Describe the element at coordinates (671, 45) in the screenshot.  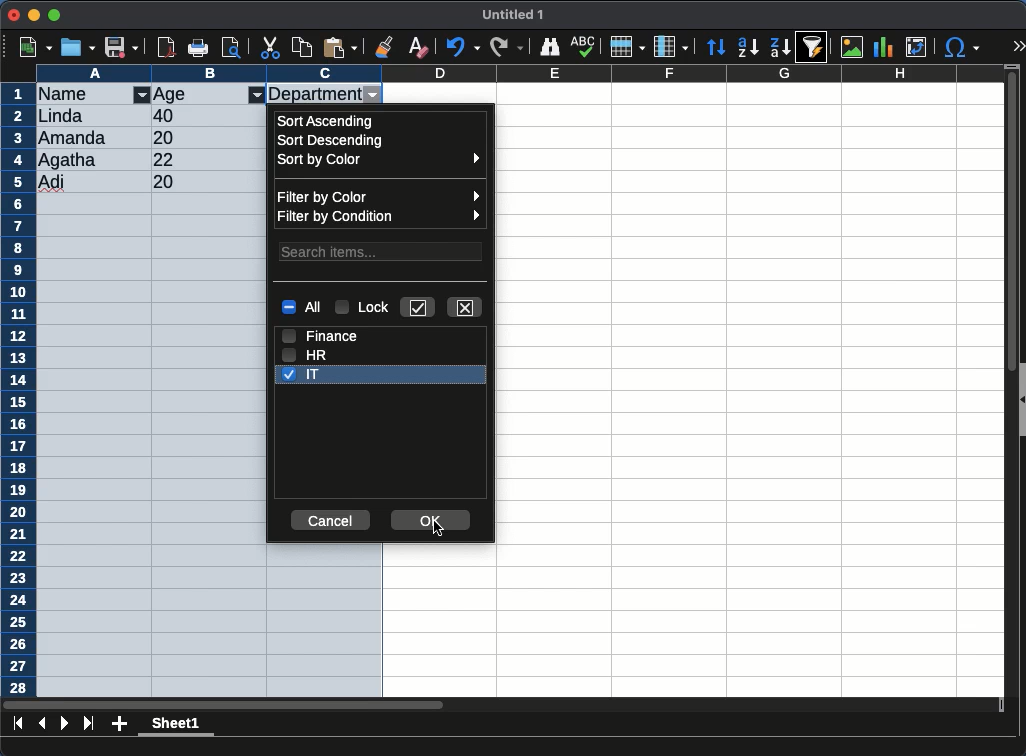
I see `columns` at that location.